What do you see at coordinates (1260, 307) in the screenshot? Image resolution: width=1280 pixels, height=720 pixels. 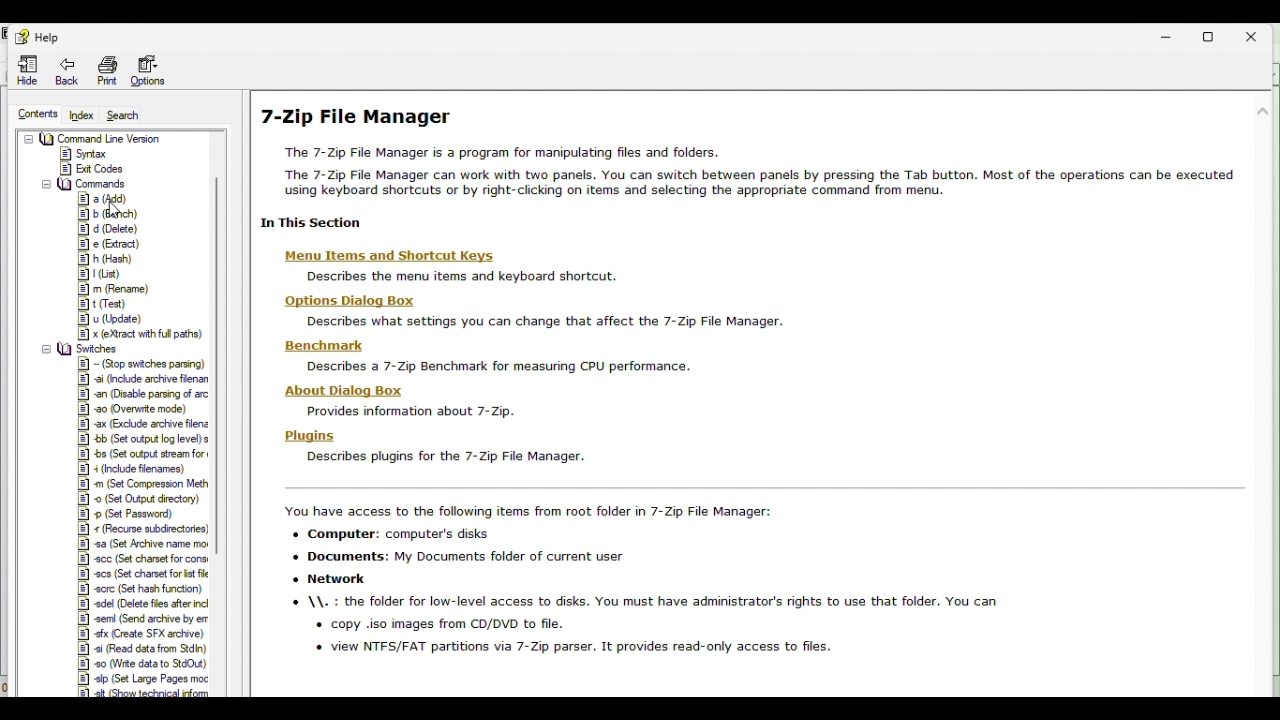 I see `scroll bar` at bounding box center [1260, 307].